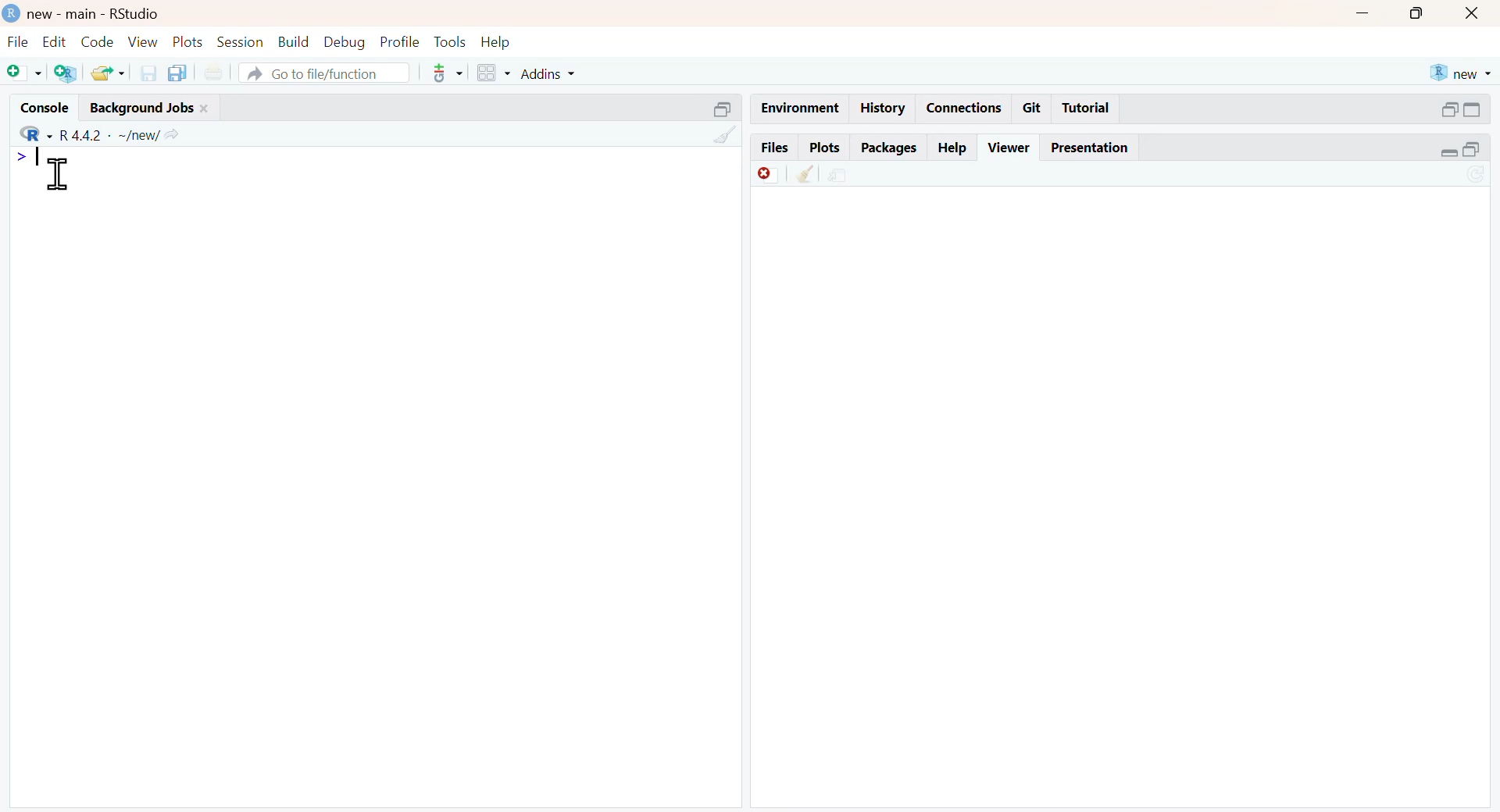  Describe the element at coordinates (47, 107) in the screenshot. I see `console` at that location.